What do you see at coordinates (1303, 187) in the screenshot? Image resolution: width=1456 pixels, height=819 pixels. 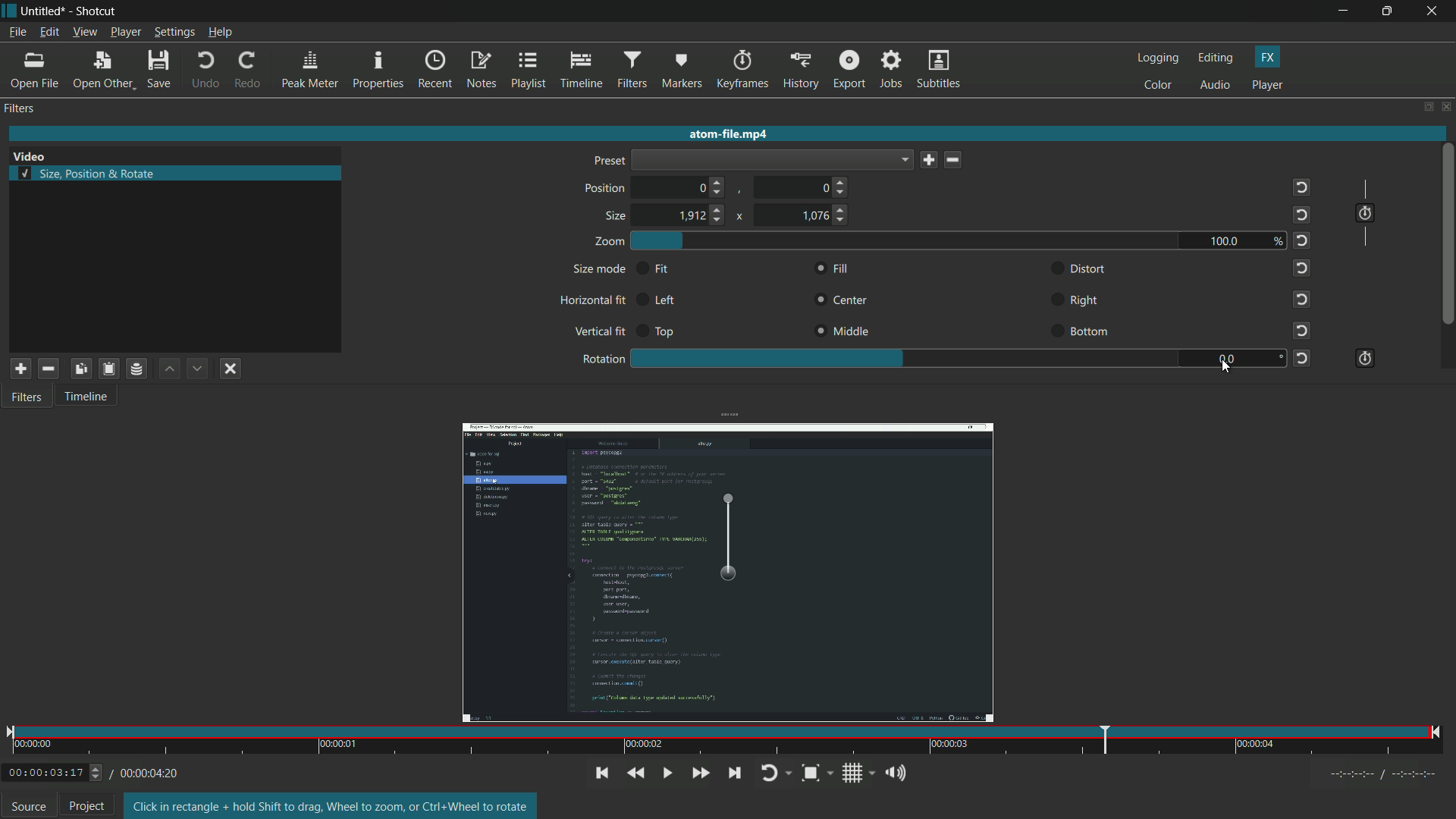 I see `reset to default` at bounding box center [1303, 187].